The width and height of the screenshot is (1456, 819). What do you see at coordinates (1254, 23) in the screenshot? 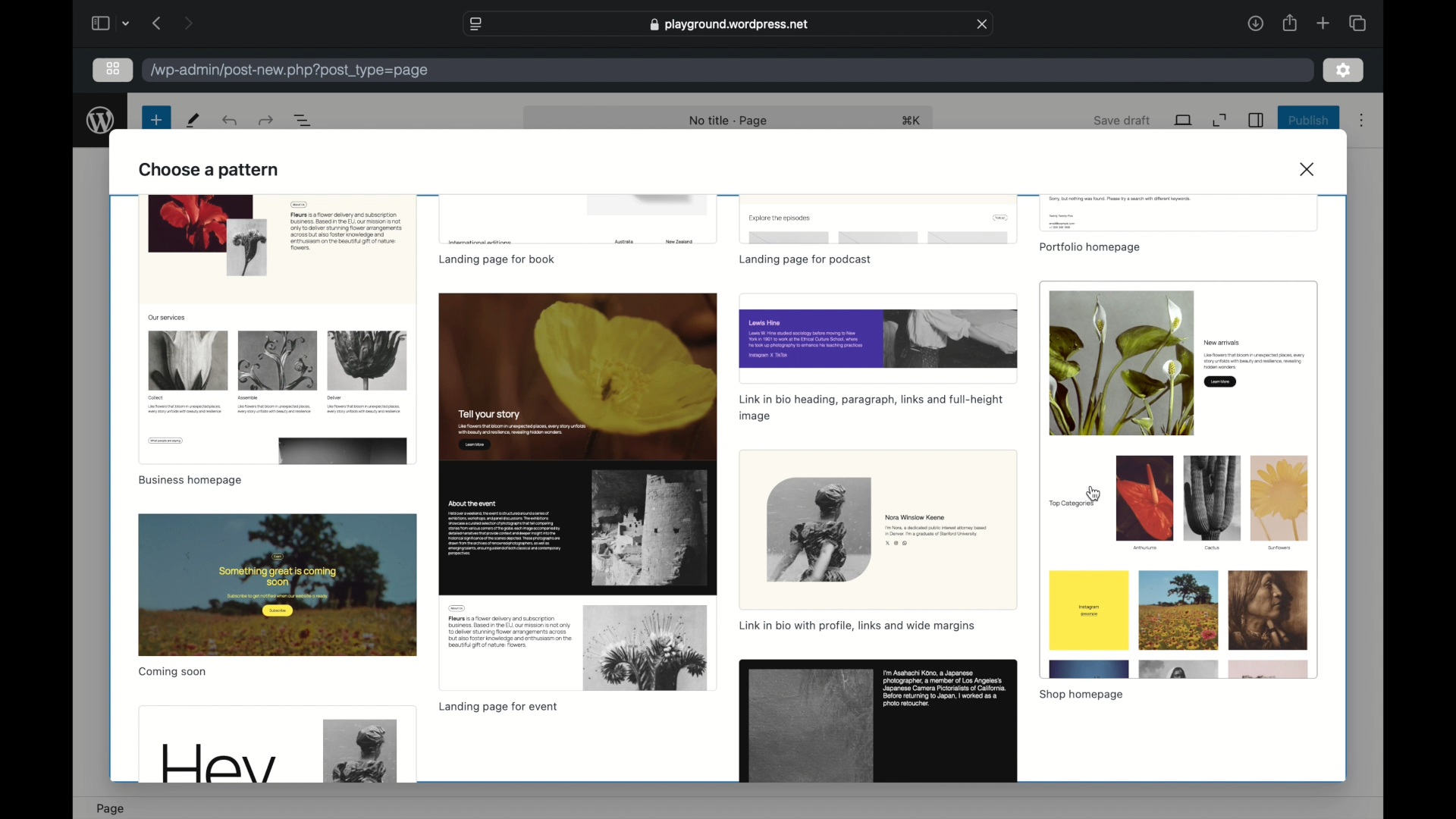
I see `downloads` at bounding box center [1254, 23].